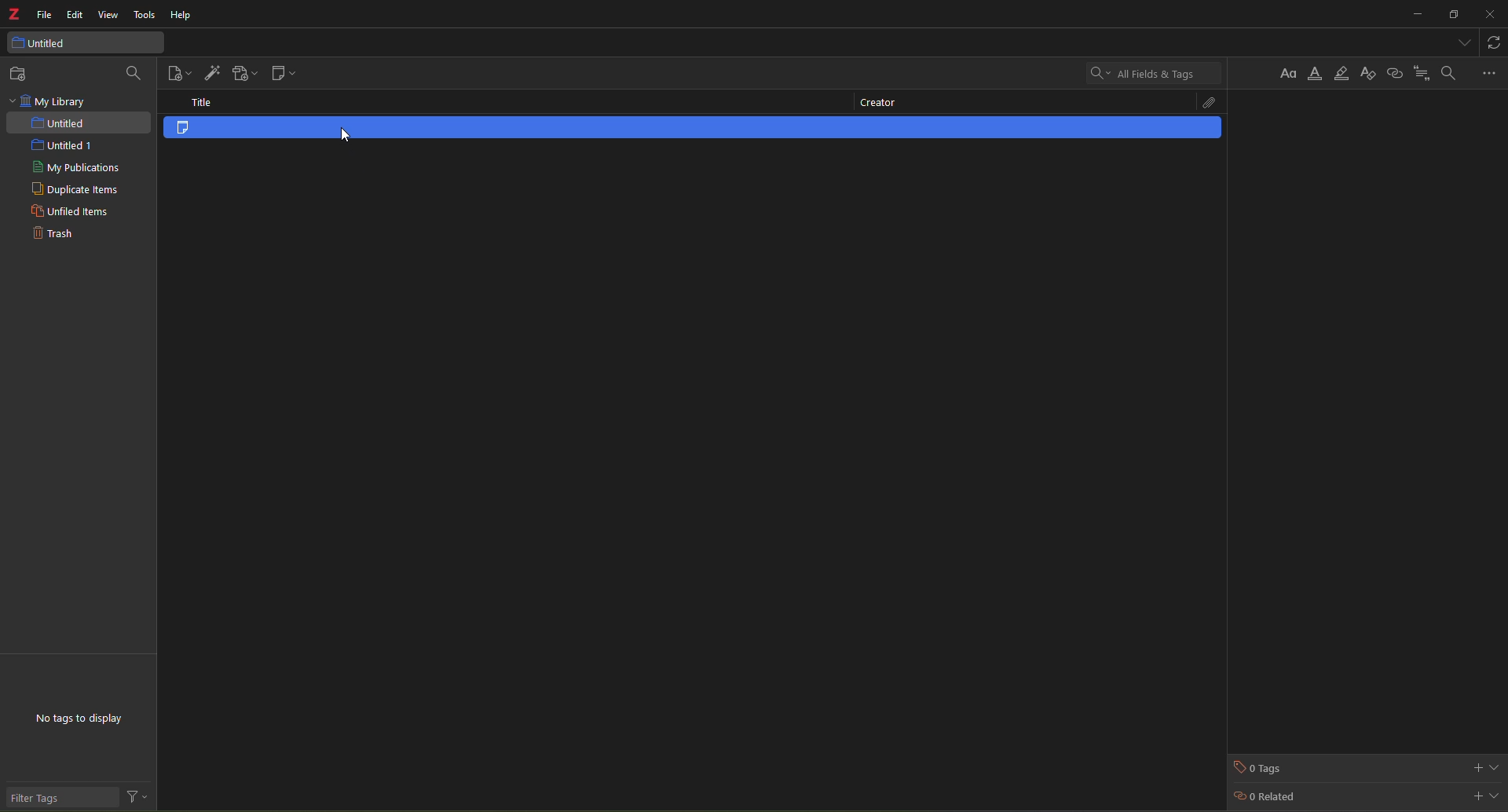 The height and width of the screenshot is (812, 1508). What do you see at coordinates (78, 192) in the screenshot?
I see `duplicate items` at bounding box center [78, 192].